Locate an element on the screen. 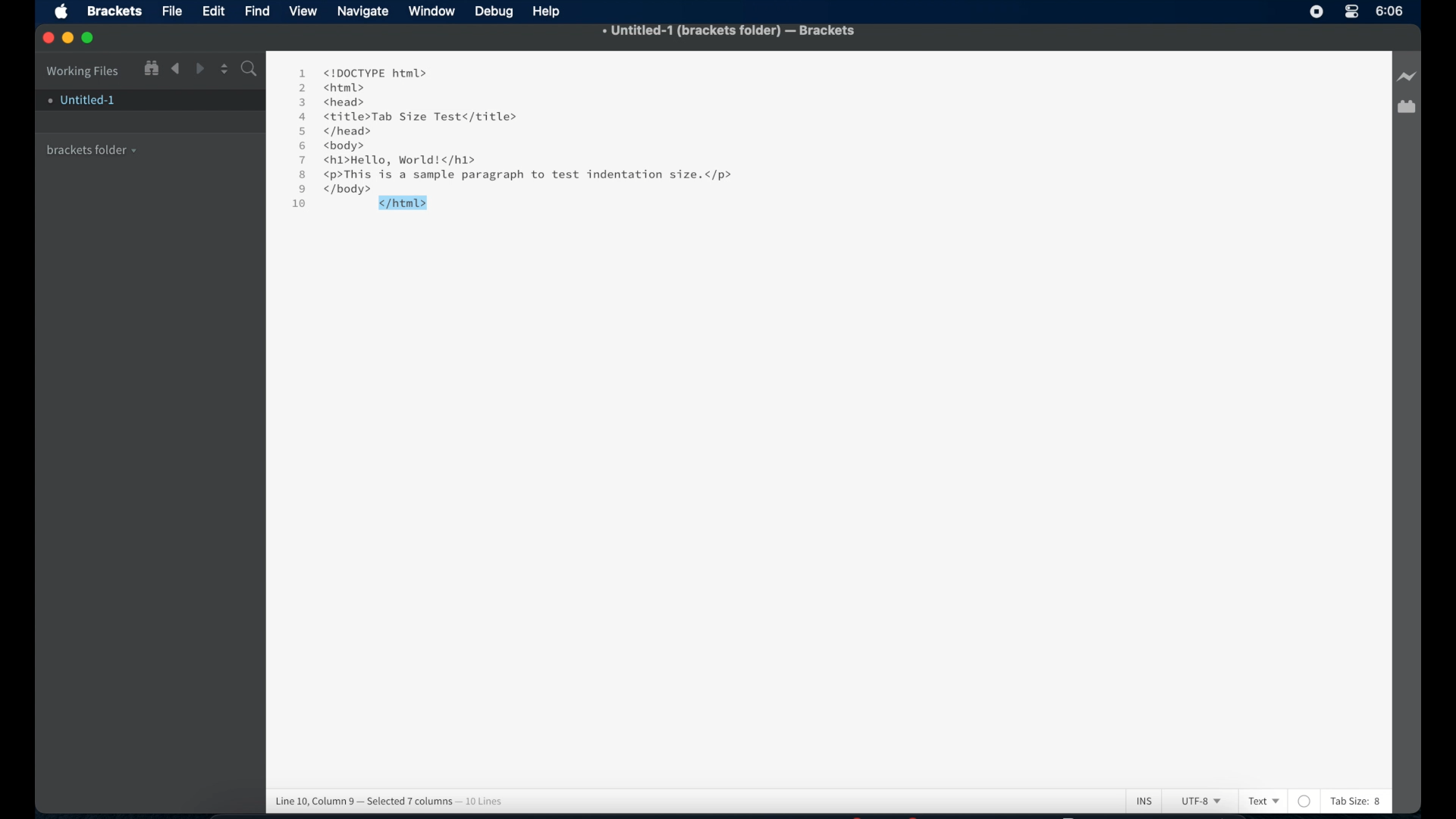 The width and height of the screenshot is (1456, 819). Recording is located at coordinates (1351, 13).